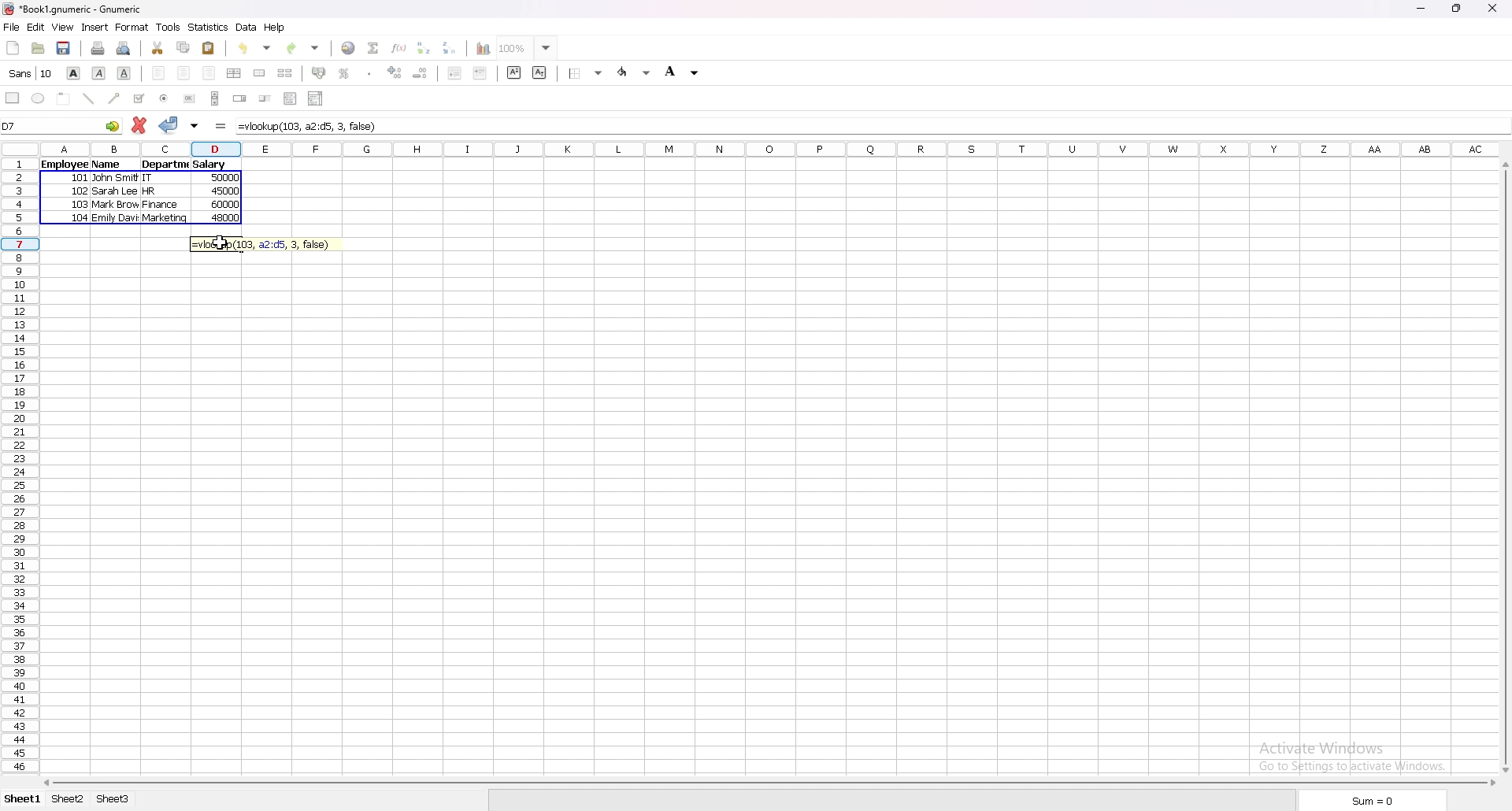 The height and width of the screenshot is (811, 1512). Describe the element at coordinates (395, 72) in the screenshot. I see `increase decimal` at that location.